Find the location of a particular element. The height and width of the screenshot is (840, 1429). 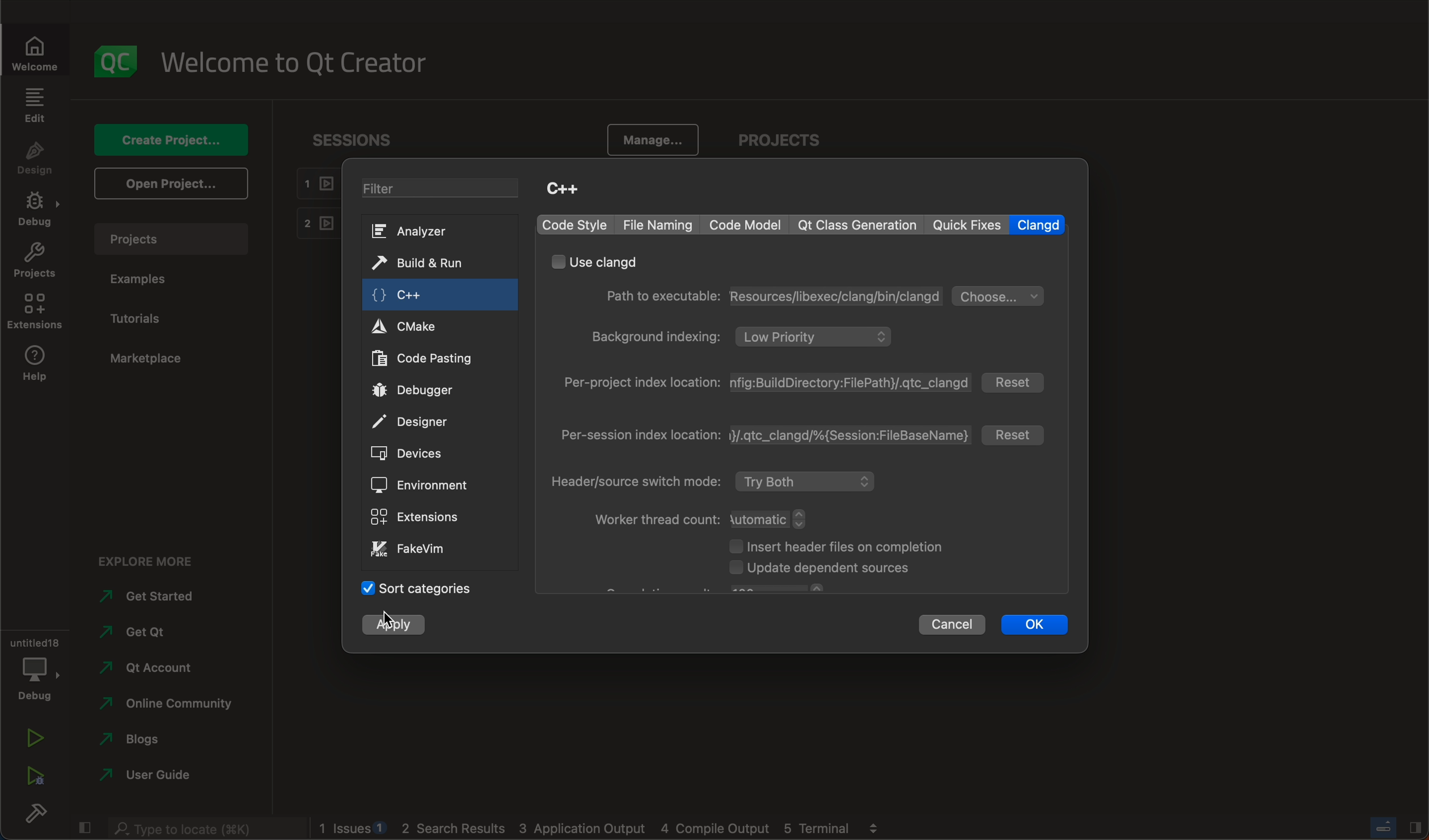

c++ is located at coordinates (439, 454).